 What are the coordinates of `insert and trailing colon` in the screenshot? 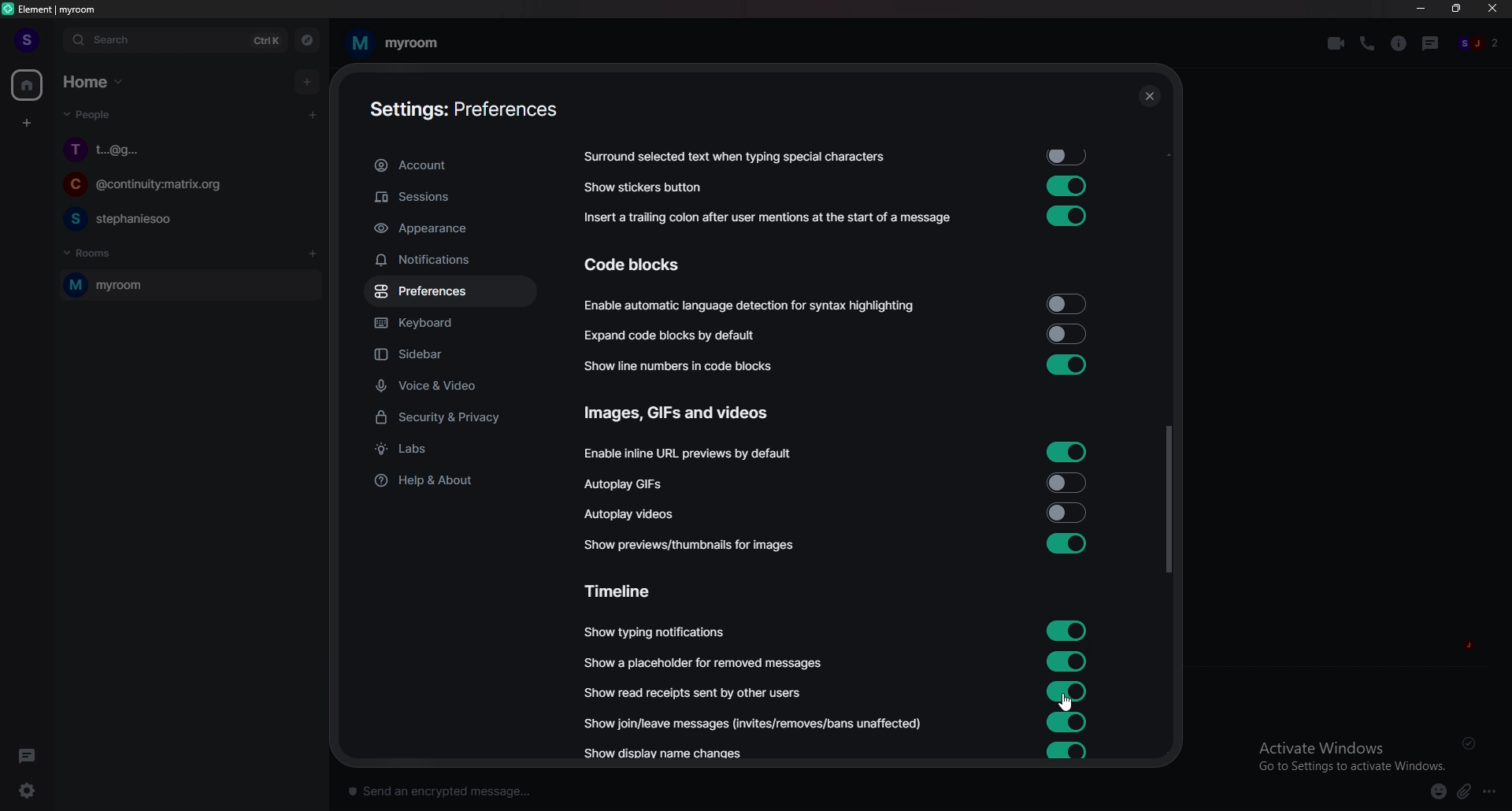 It's located at (765, 218).